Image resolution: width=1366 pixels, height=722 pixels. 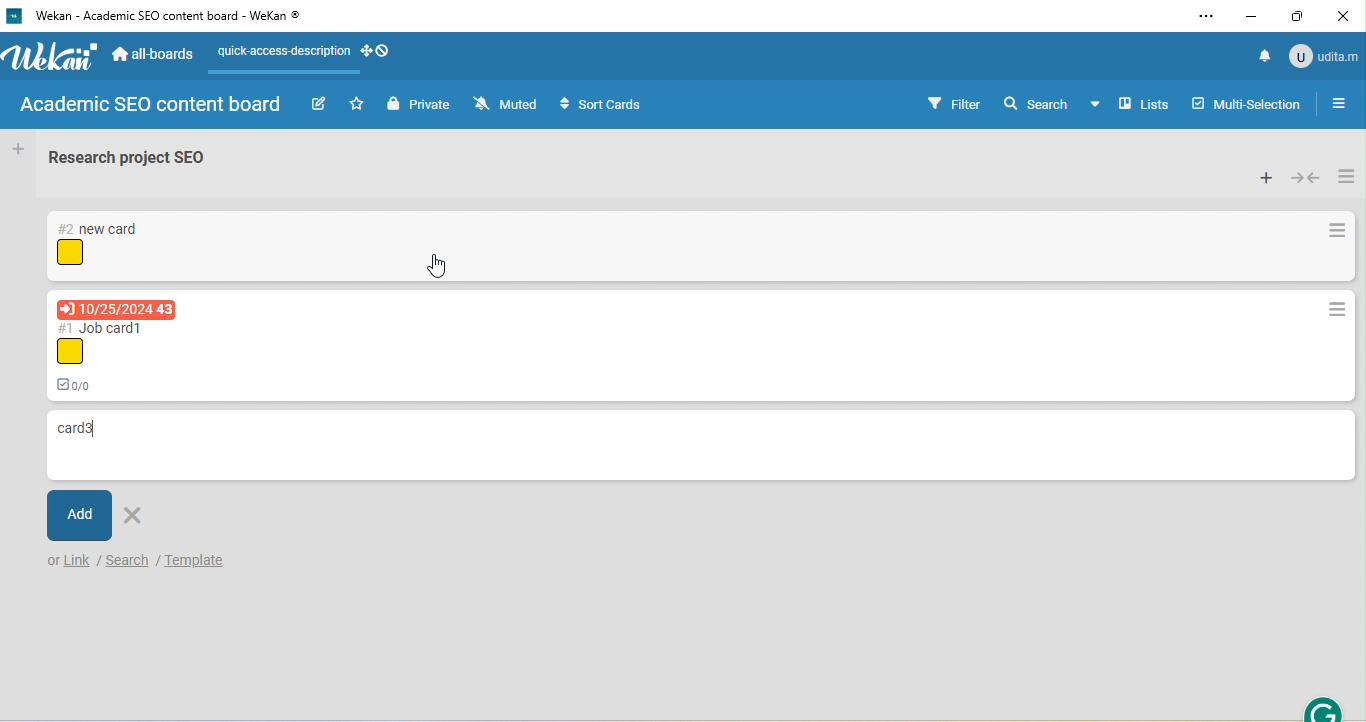 I want to click on card actions, so click(x=1335, y=311).